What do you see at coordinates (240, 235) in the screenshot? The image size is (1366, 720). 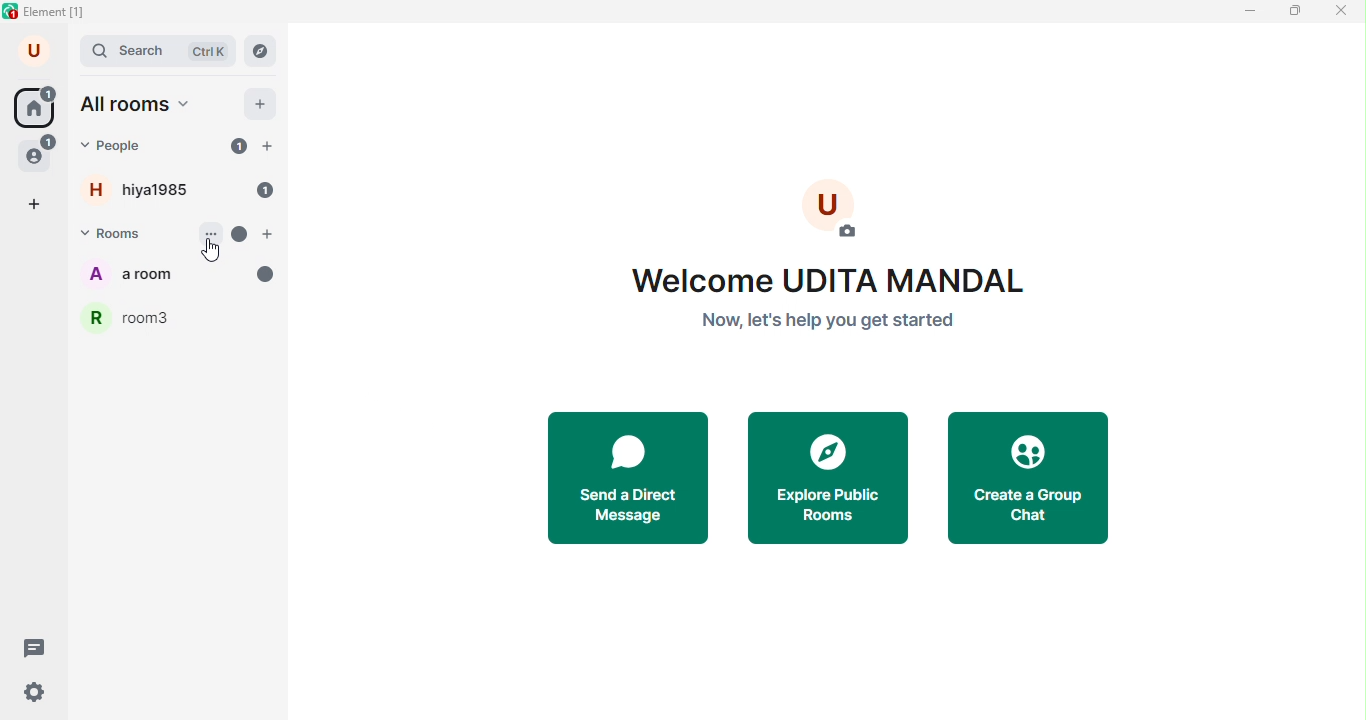 I see `unread message` at bounding box center [240, 235].